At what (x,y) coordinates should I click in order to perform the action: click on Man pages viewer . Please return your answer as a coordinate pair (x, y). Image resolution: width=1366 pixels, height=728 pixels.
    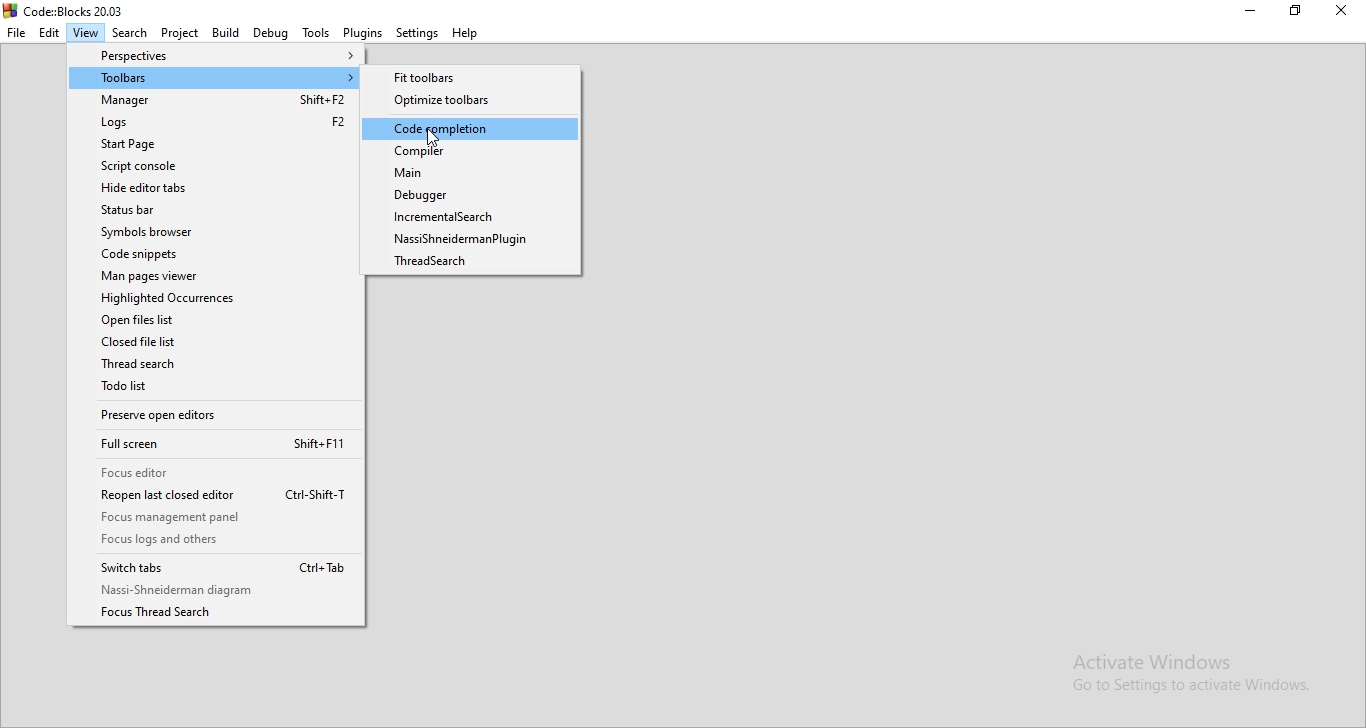
    Looking at the image, I should click on (213, 275).